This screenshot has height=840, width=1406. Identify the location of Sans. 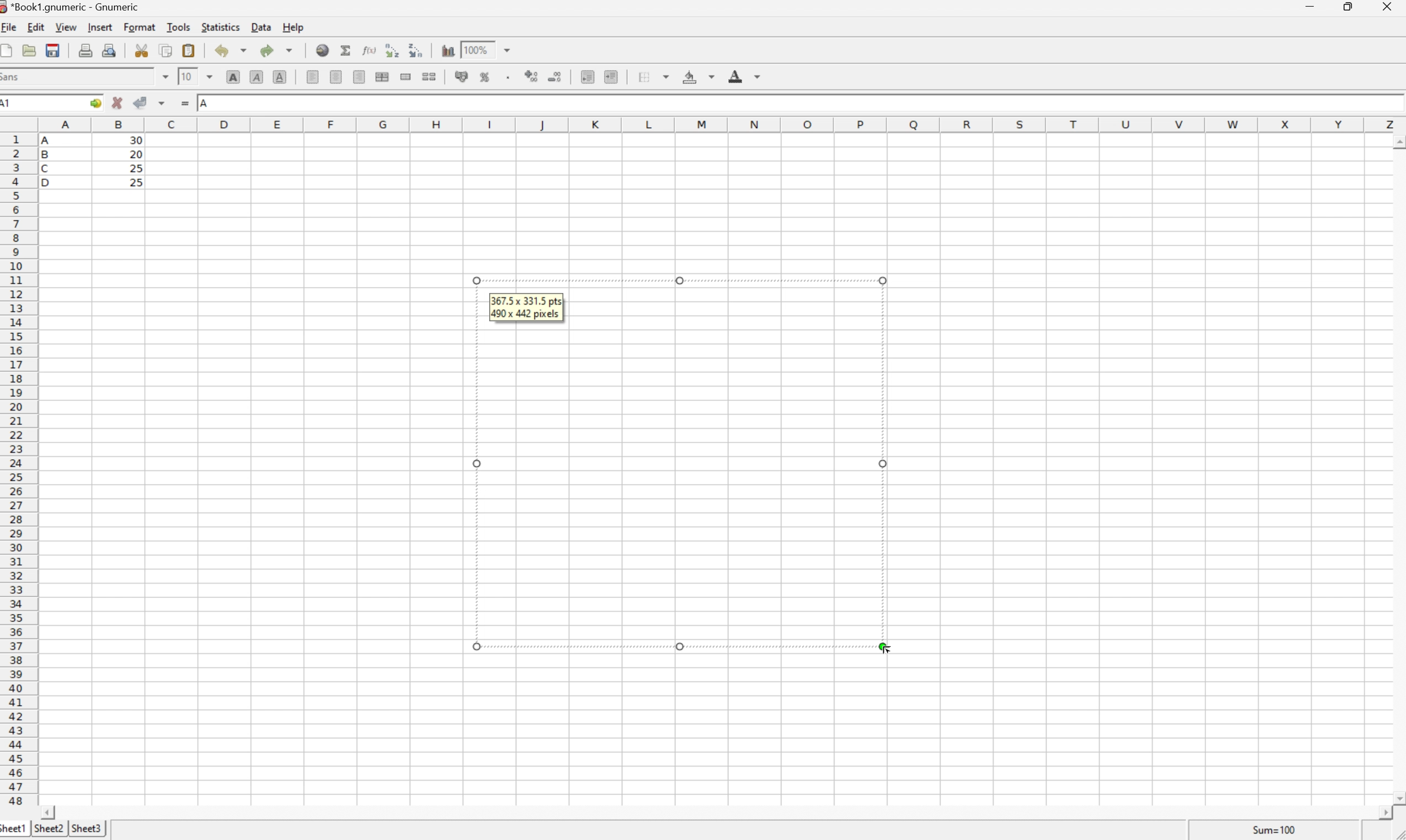
(12, 76).